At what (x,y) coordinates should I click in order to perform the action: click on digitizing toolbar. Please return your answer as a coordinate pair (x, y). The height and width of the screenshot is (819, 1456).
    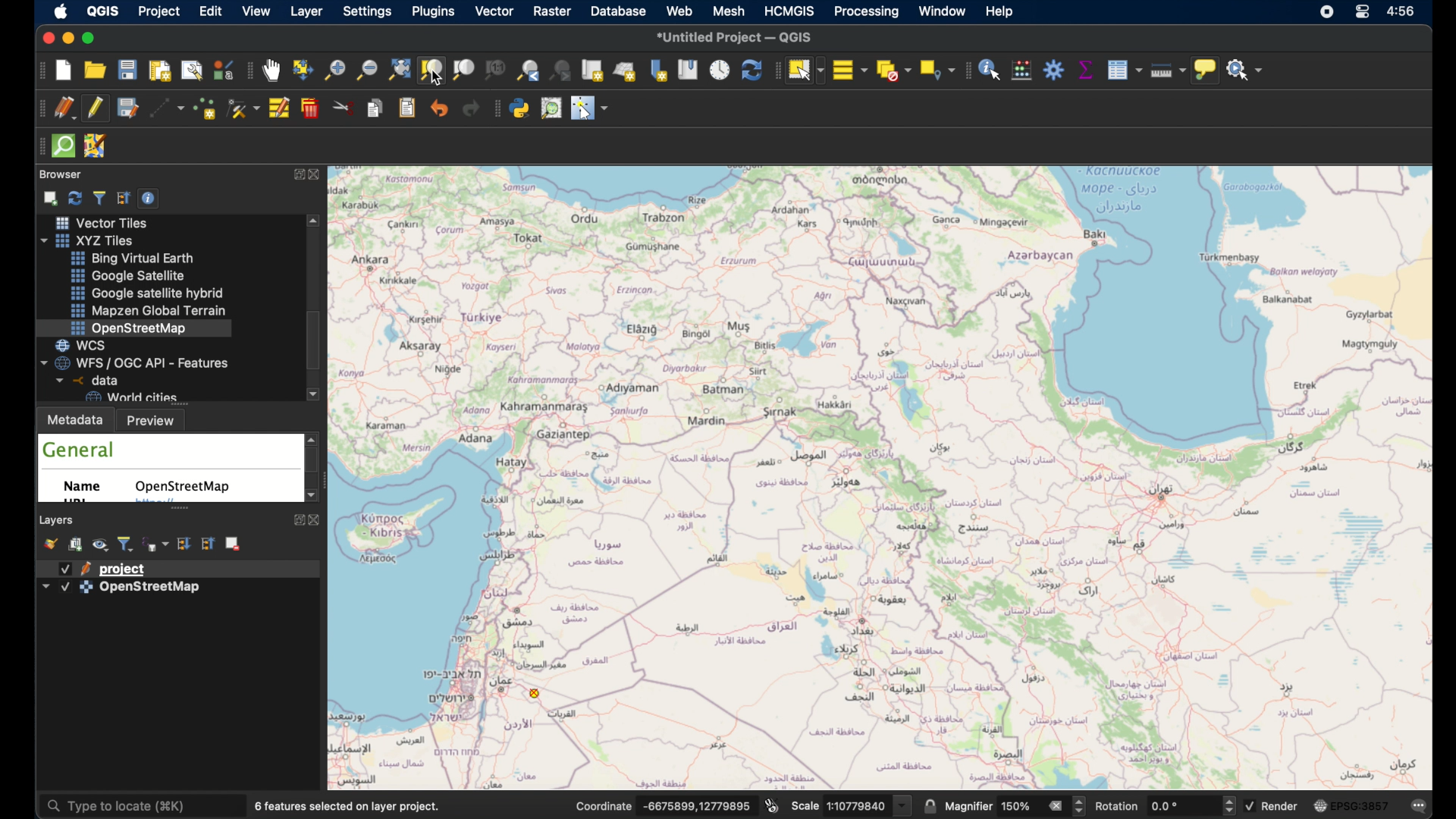
    Looking at the image, I should click on (39, 108).